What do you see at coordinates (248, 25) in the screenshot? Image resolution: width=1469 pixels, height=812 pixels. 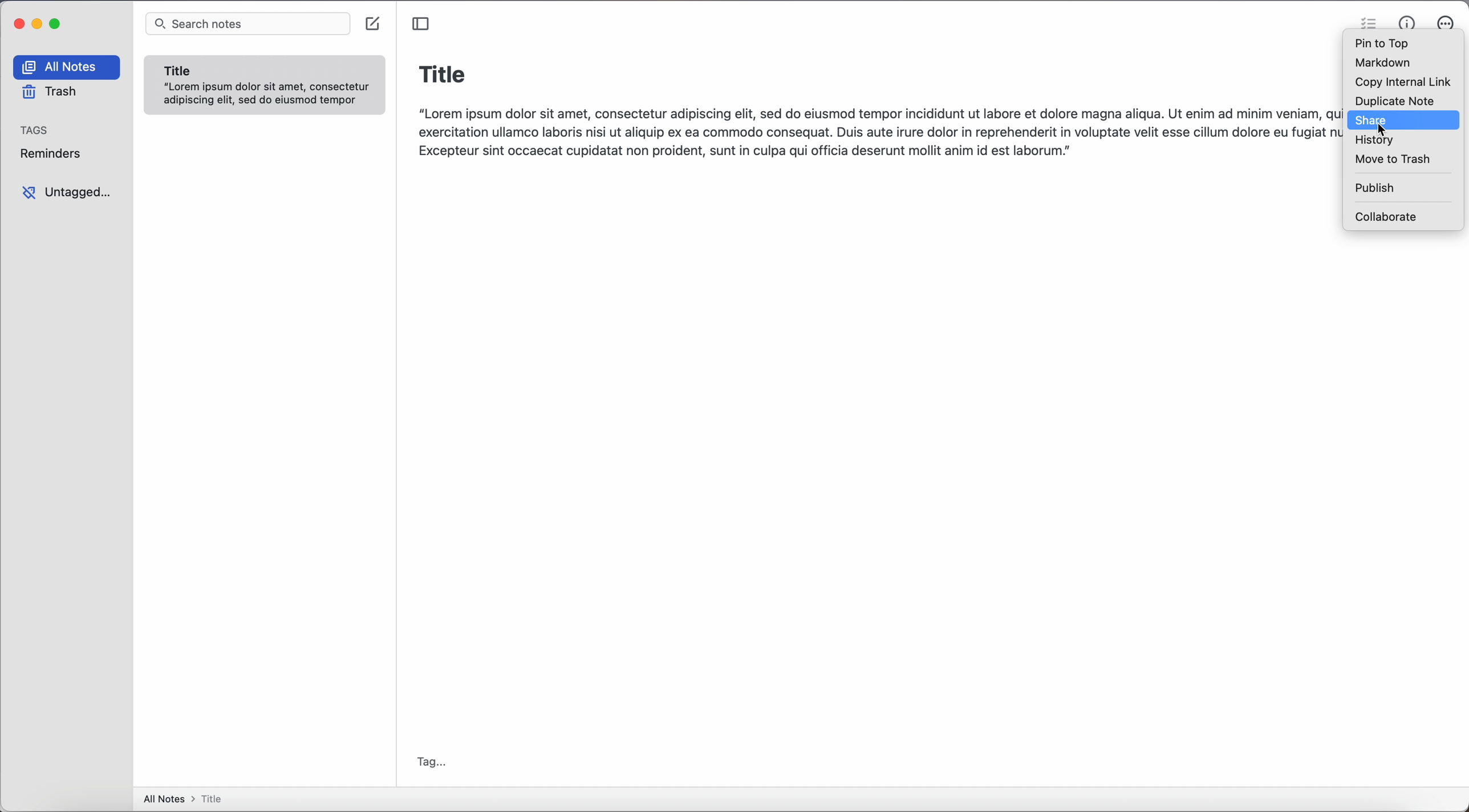 I see `search bar` at bounding box center [248, 25].